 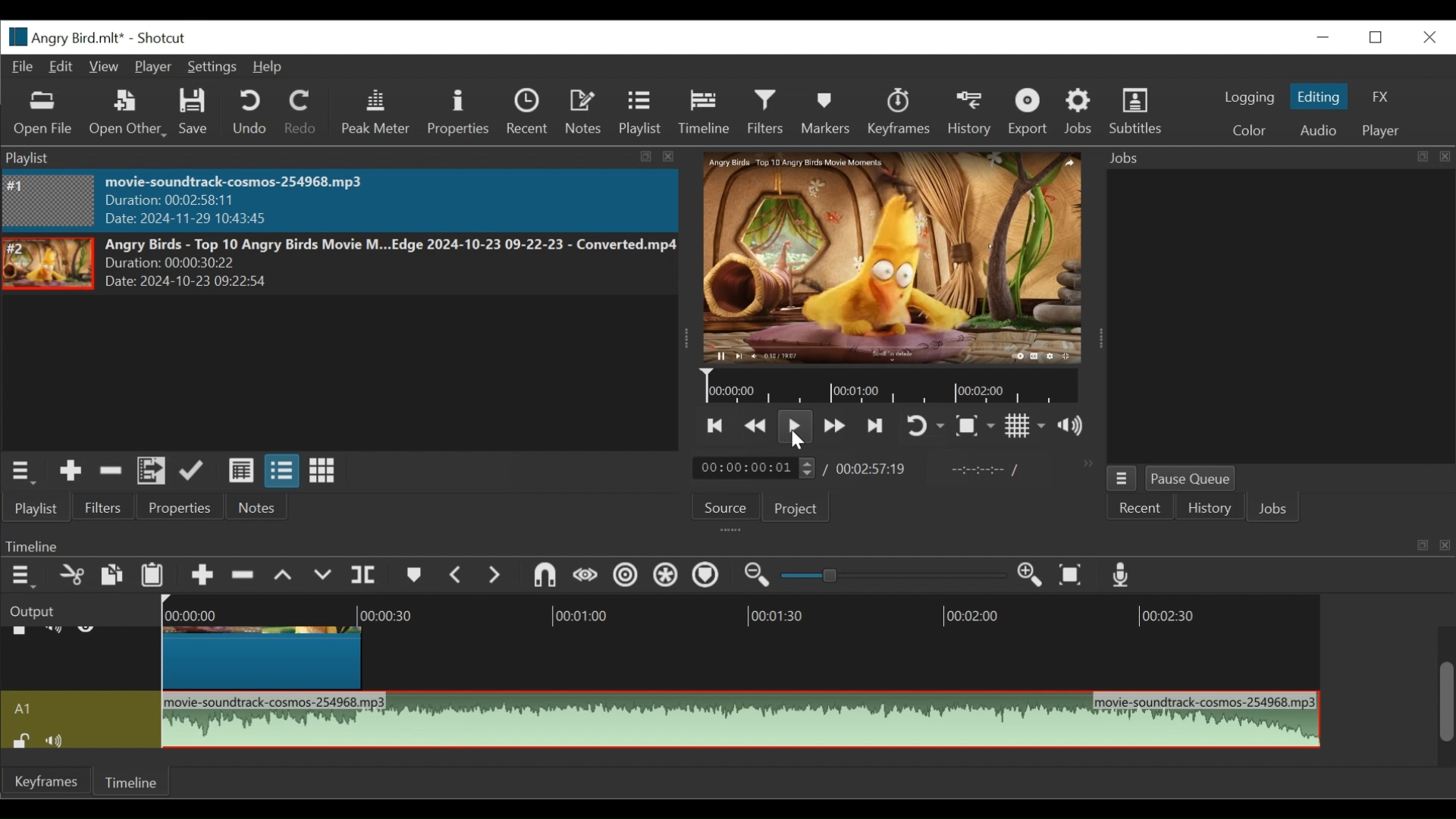 What do you see at coordinates (153, 575) in the screenshot?
I see `Paste` at bounding box center [153, 575].